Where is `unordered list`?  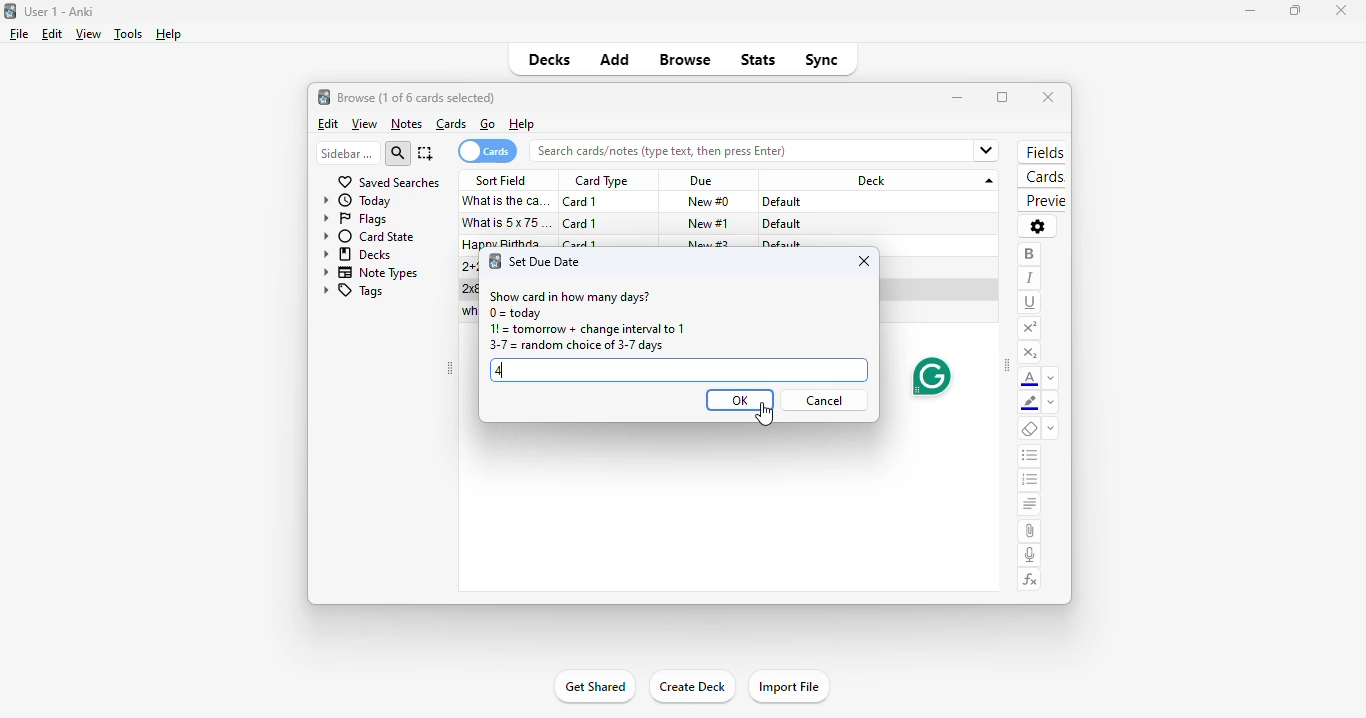 unordered list is located at coordinates (1030, 457).